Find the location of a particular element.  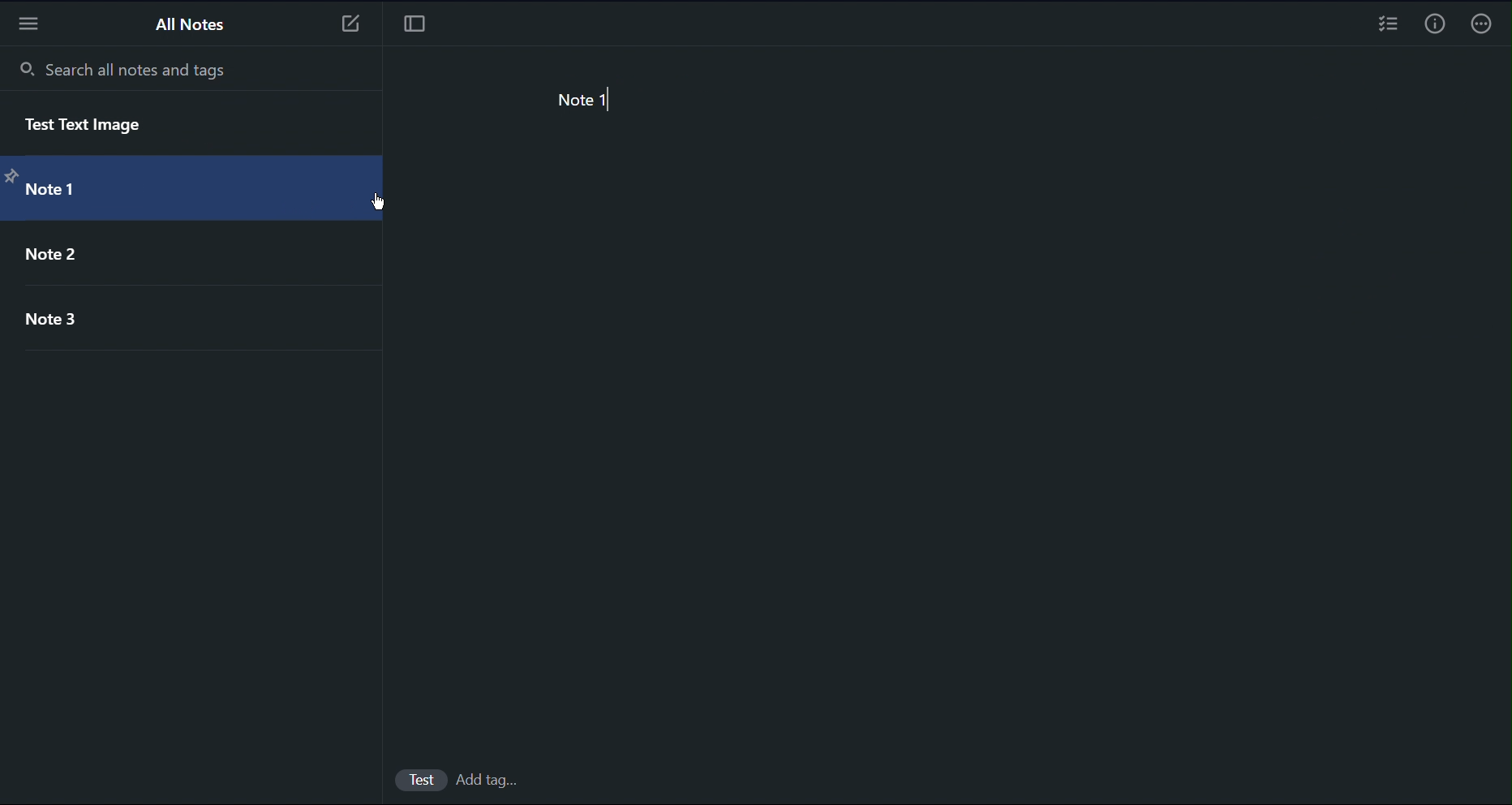

All Notes is located at coordinates (191, 25).